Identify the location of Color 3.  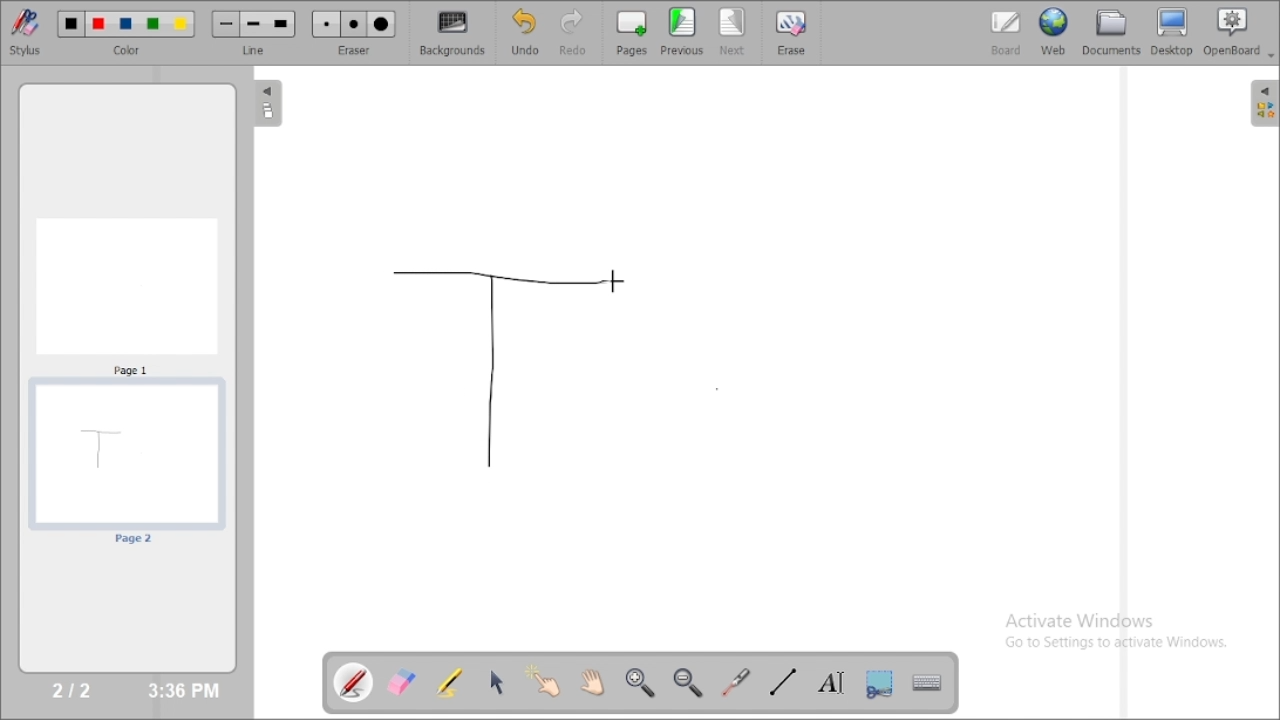
(126, 25).